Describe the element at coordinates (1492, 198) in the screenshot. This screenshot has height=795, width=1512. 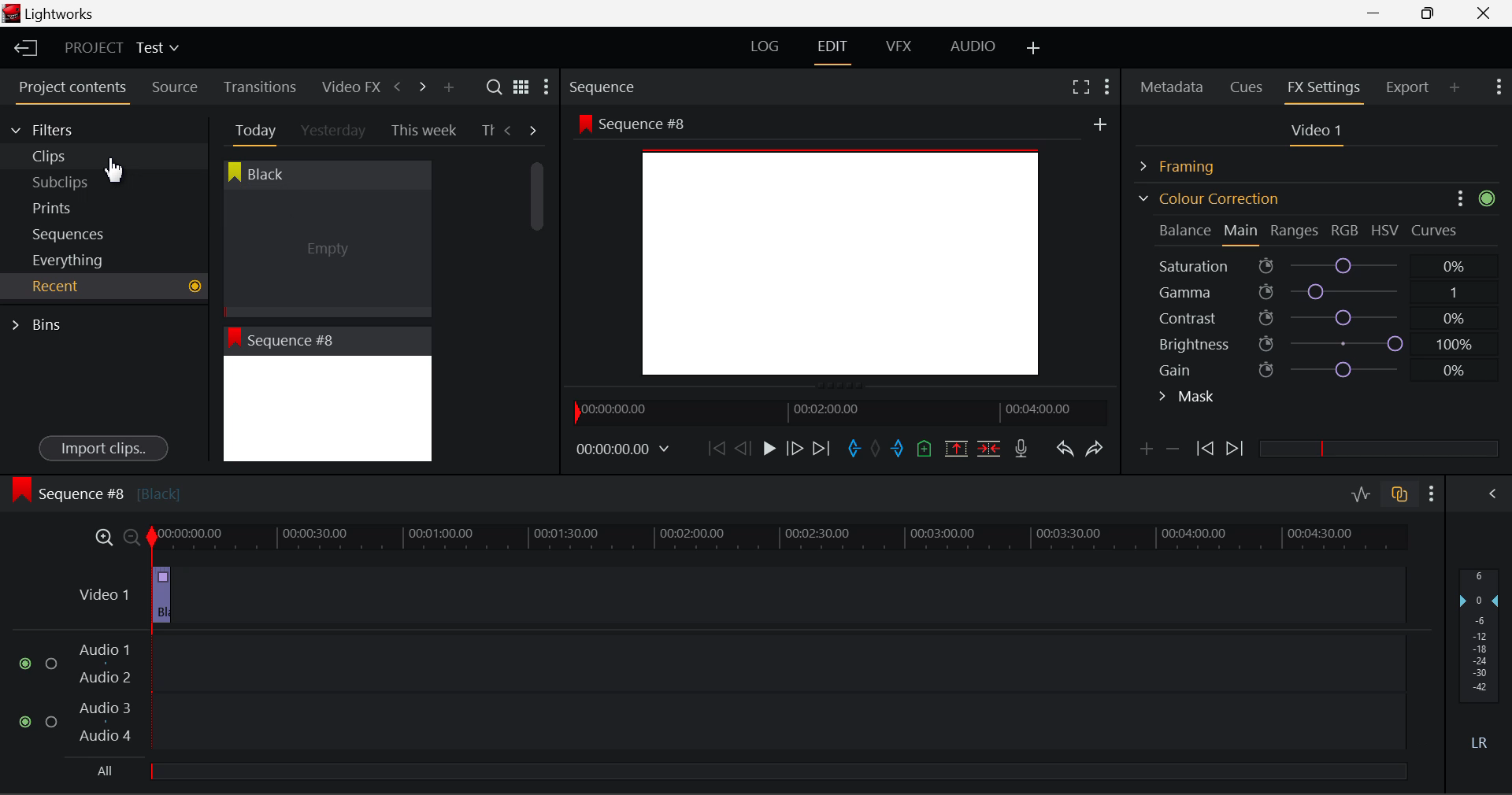
I see `icon` at that location.